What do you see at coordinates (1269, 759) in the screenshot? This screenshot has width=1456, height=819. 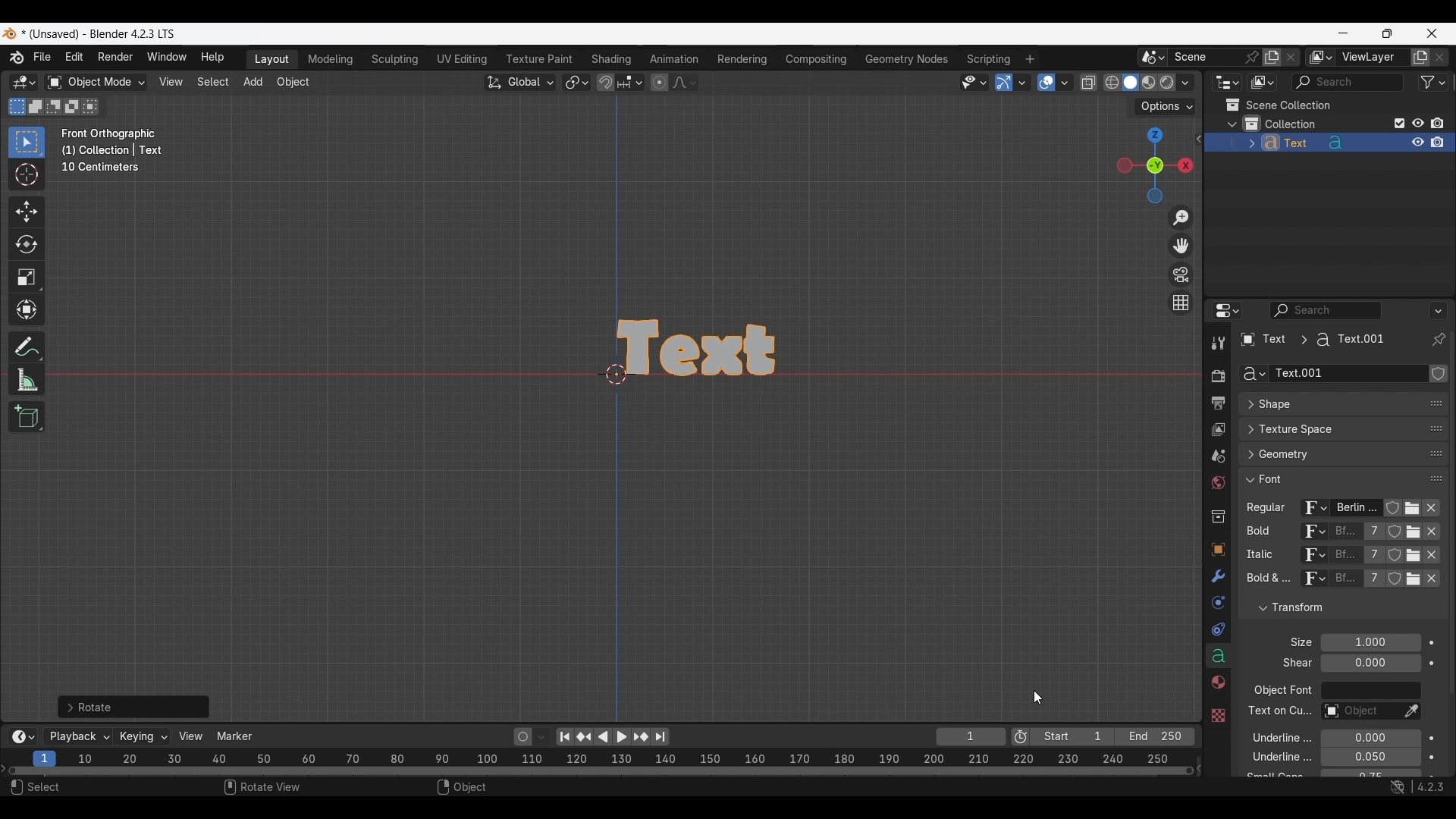 I see `underline` at bounding box center [1269, 759].